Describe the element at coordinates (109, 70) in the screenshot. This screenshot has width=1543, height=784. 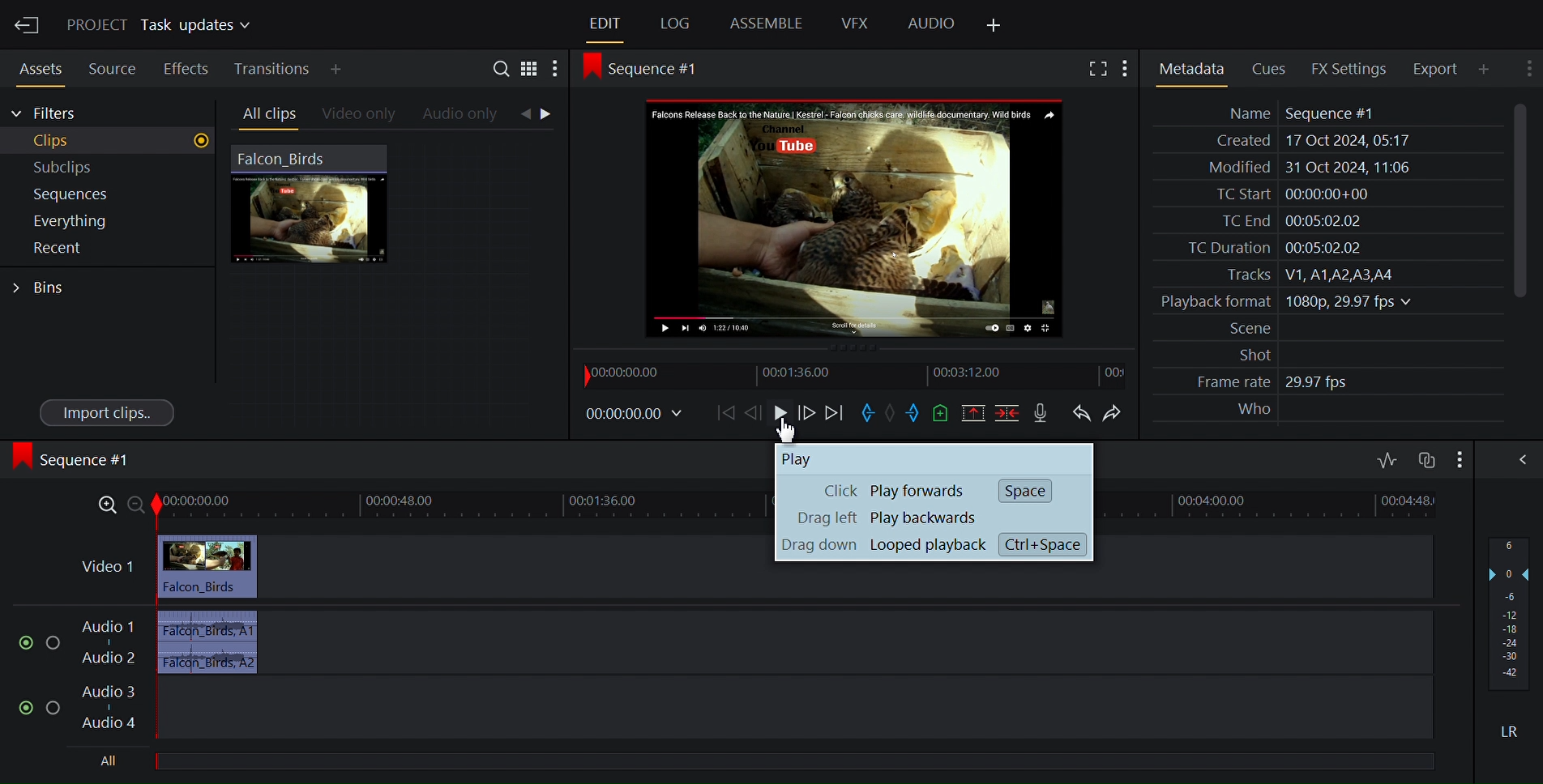
I see `Sources` at that location.